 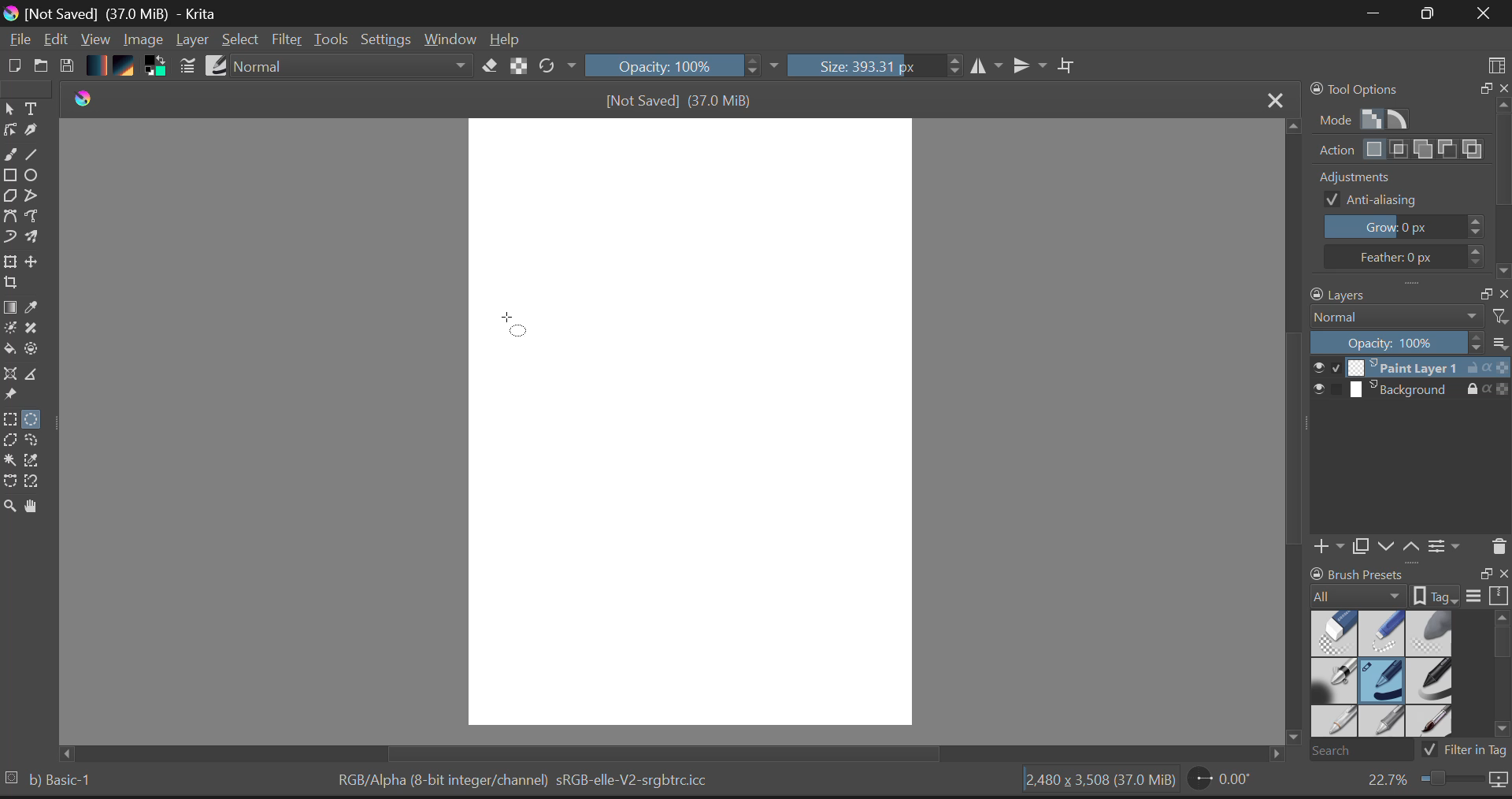 I want to click on Tools, so click(x=332, y=39).